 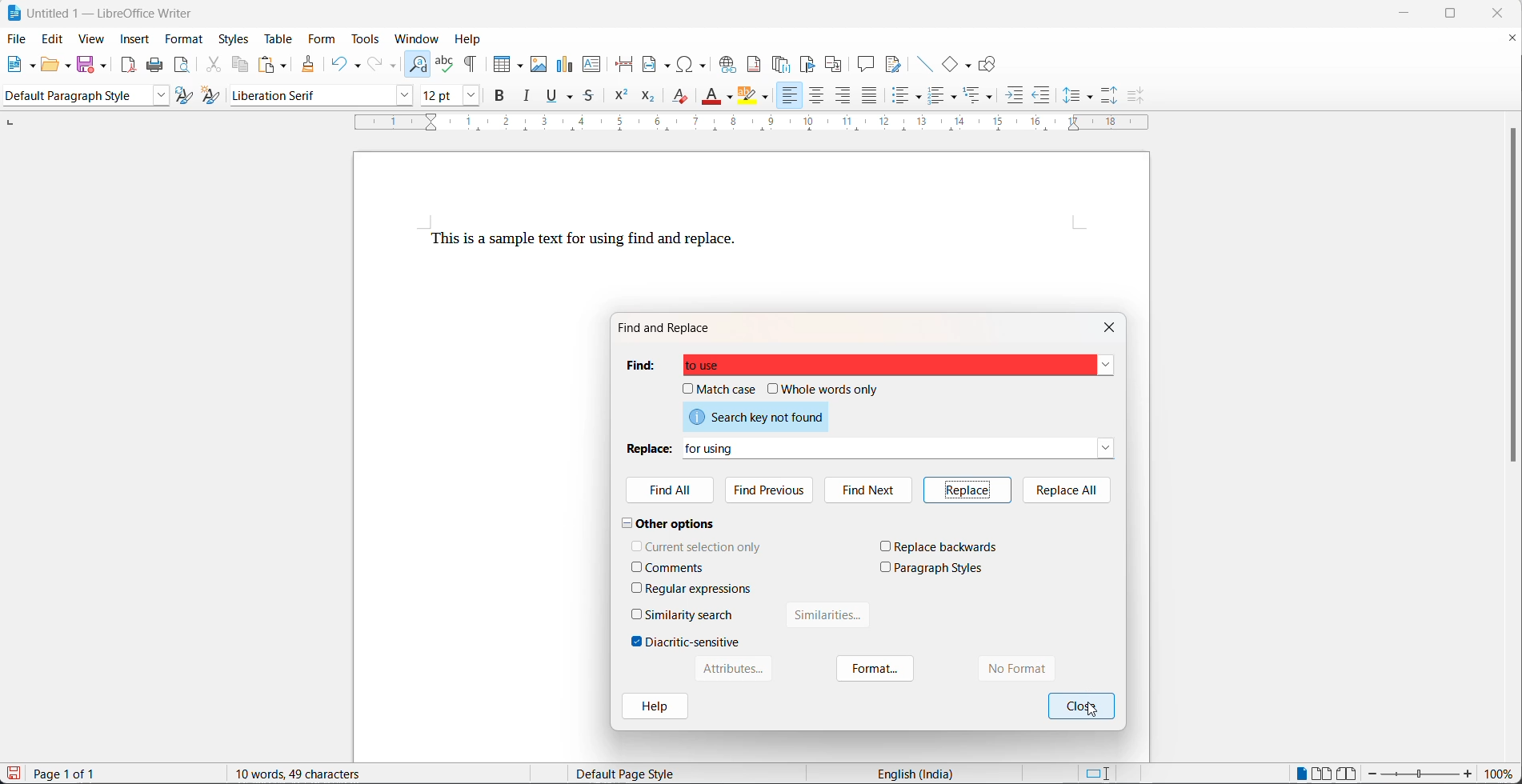 I want to click on insert chart, so click(x=567, y=62).